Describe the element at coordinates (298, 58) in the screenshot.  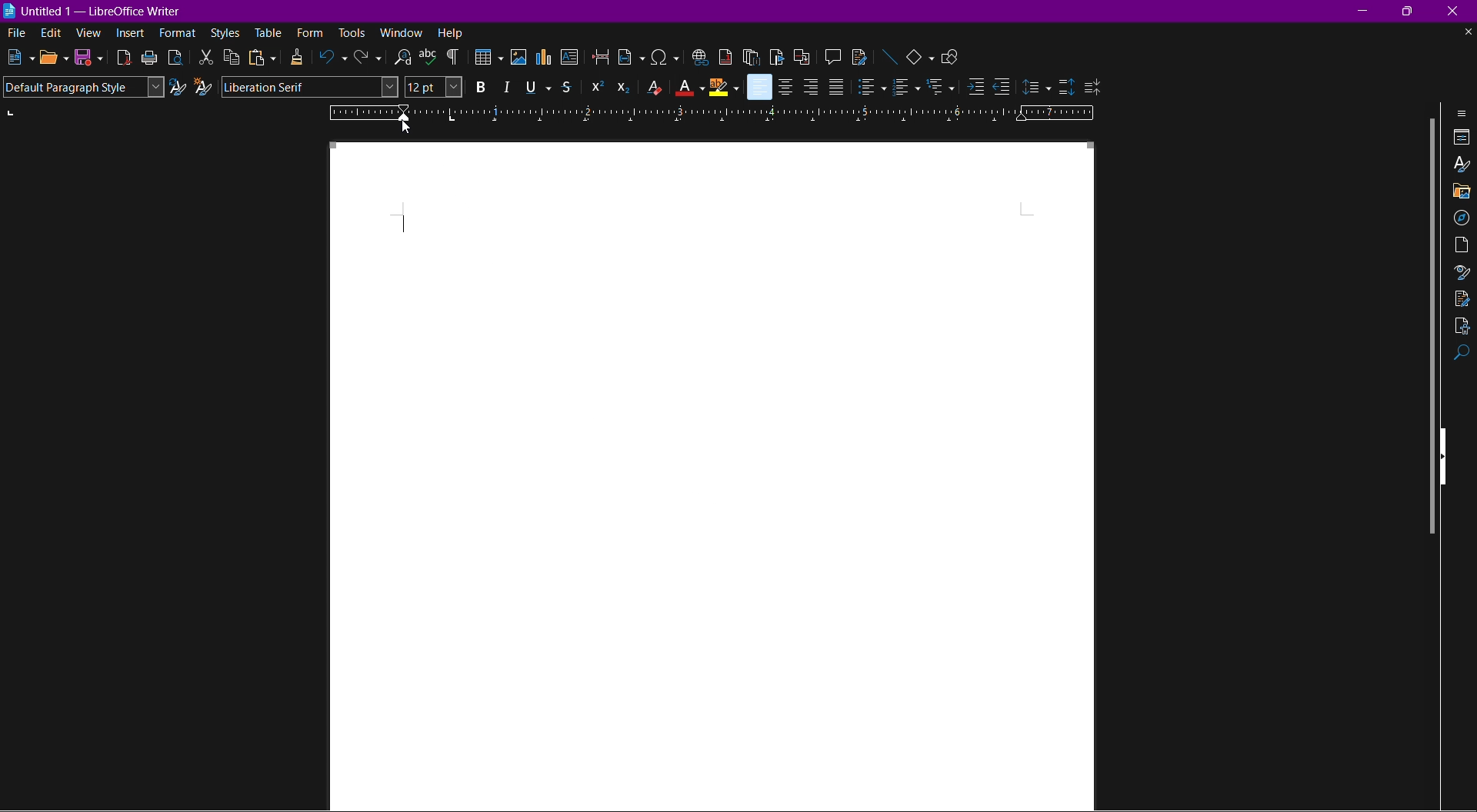
I see `Copy Formatting` at that location.